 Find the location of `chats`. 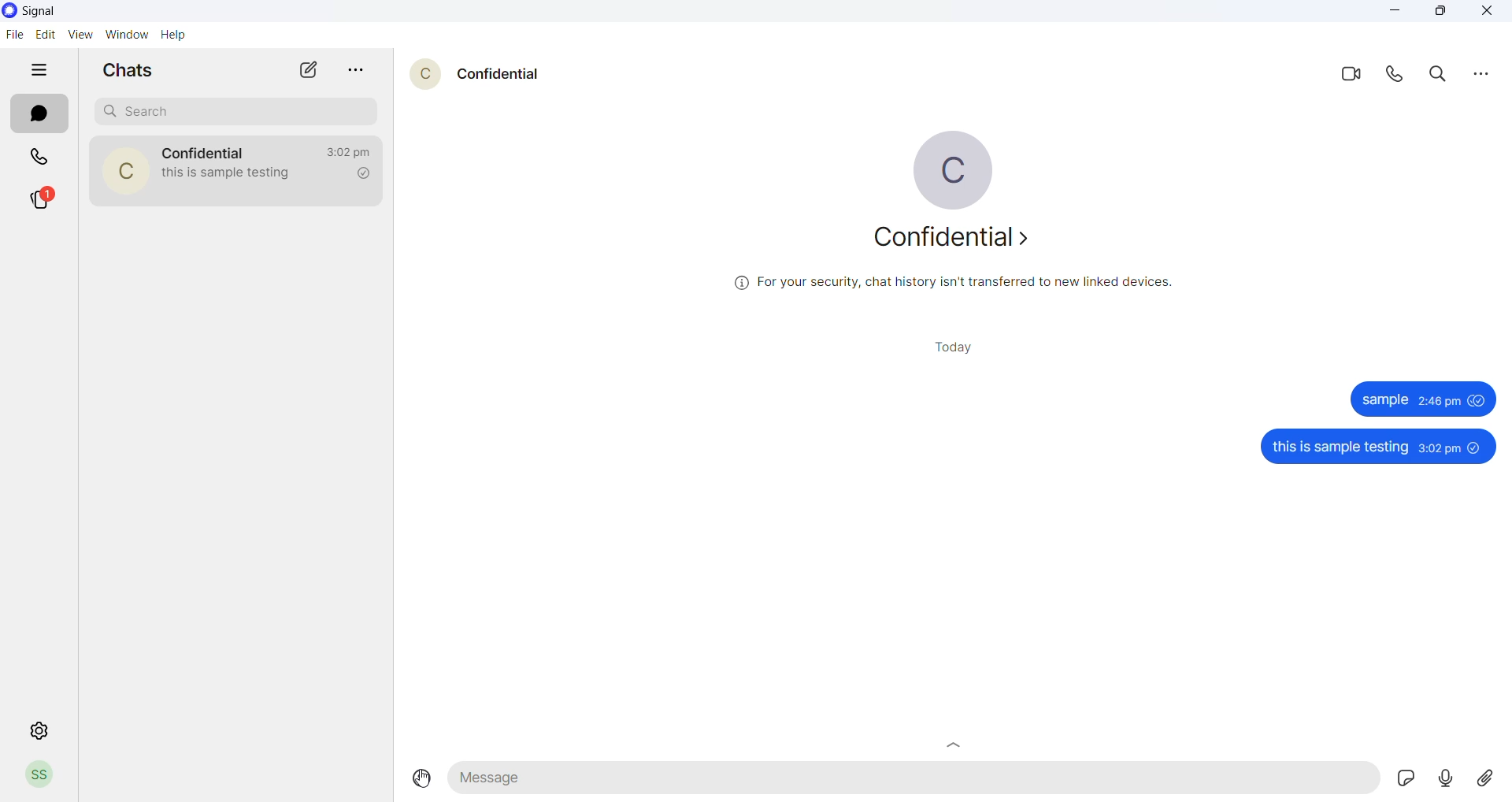

chats is located at coordinates (39, 114).